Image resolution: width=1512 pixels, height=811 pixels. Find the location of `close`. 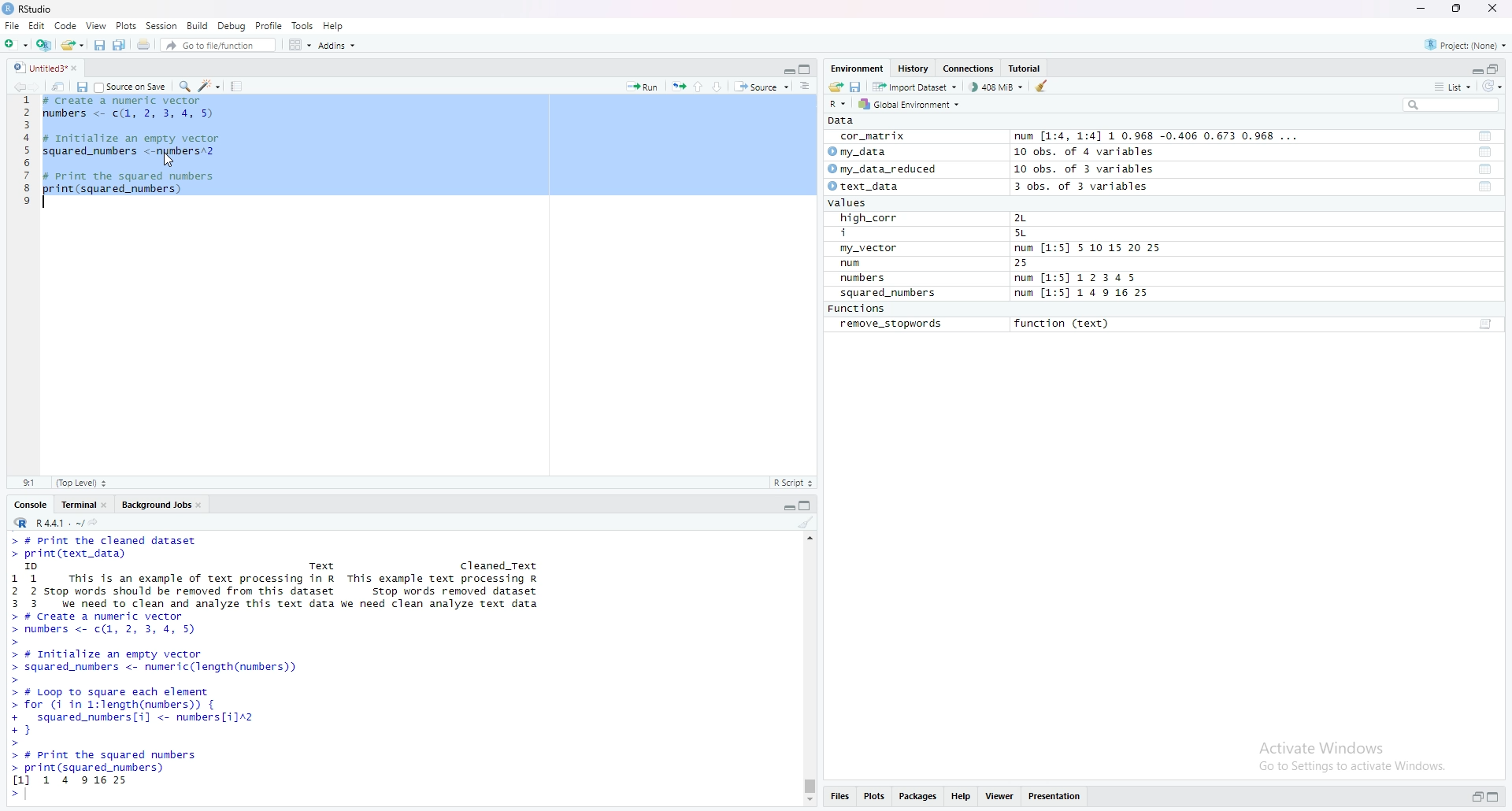

close is located at coordinates (1495, 9).